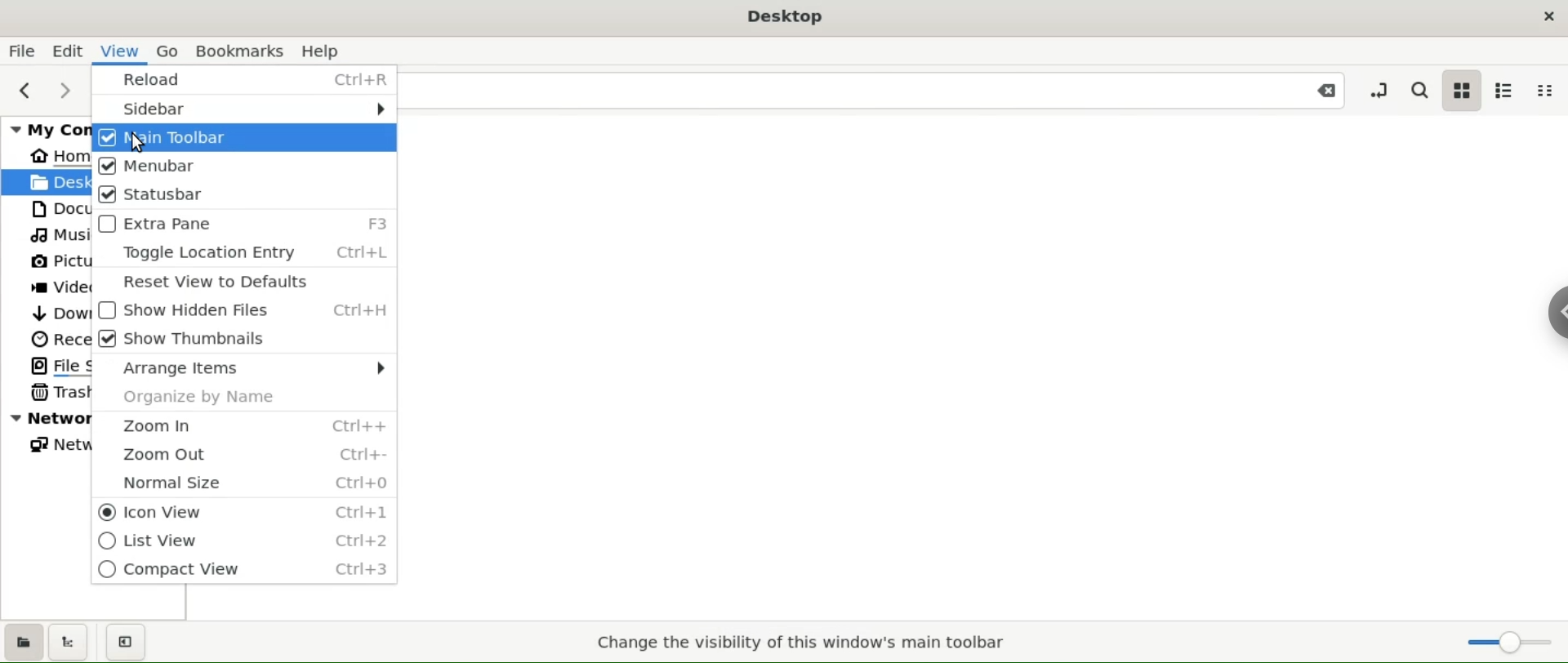  Describe the element at coordinates (1511, 90) in the screenshot. I see `list view` at that location.